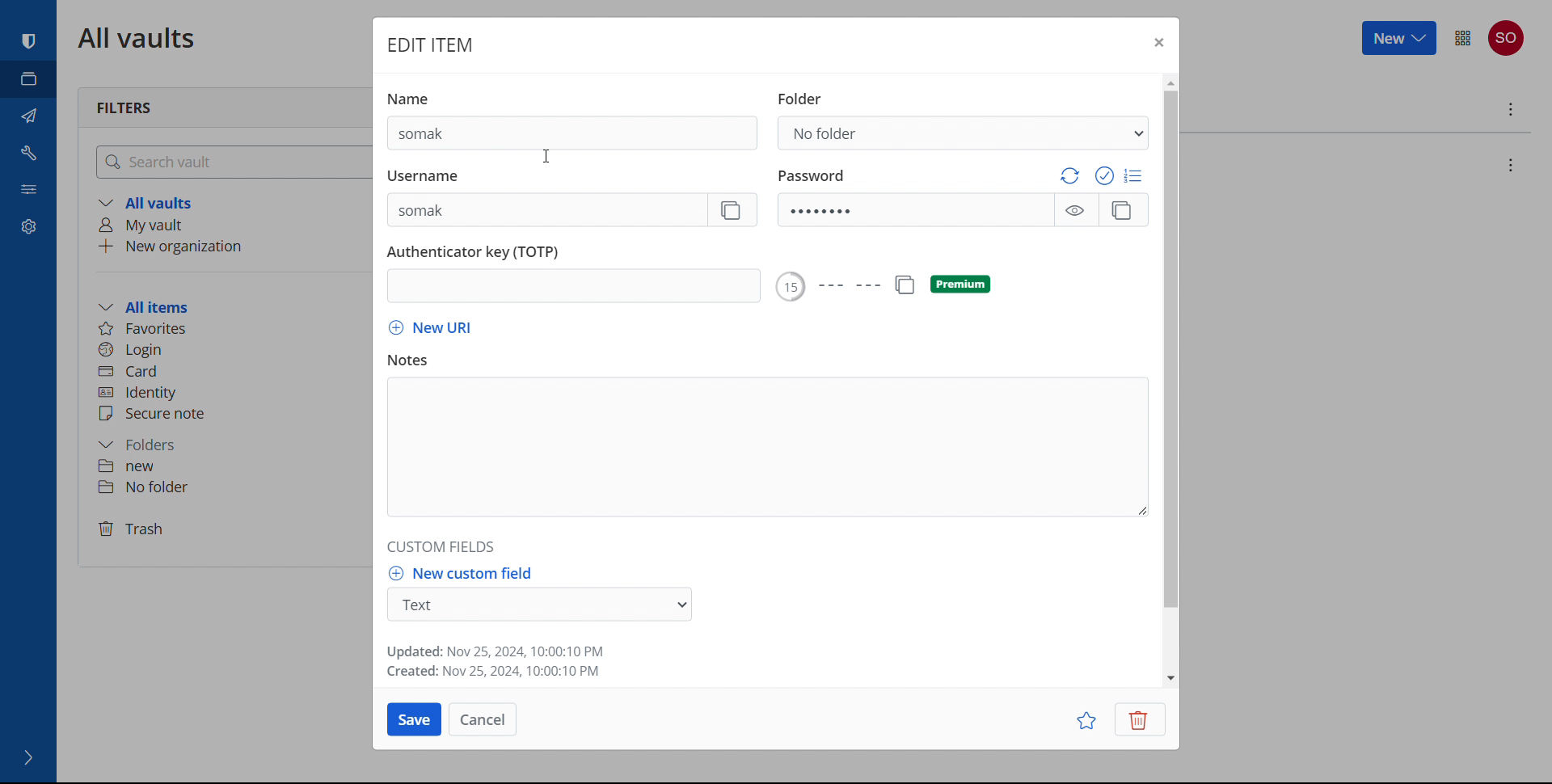 The image size is (1552, 784). What do you see at coordinates (499, 661) in the screenshot?
I see `date of last update and creation` at bounding box center [499, 661].